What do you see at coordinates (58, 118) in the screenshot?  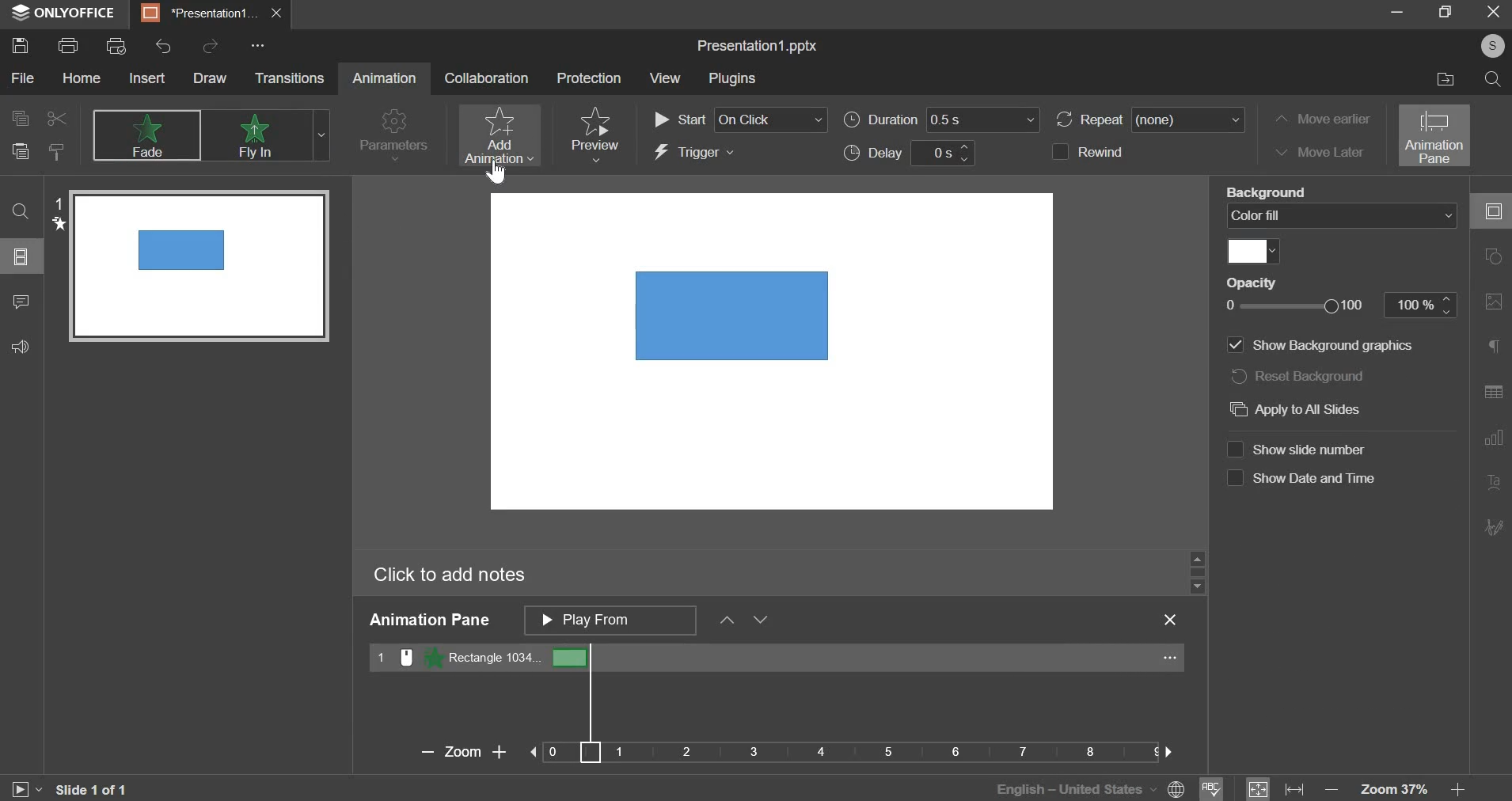 I see `cut` at bounding box center [58, 118].